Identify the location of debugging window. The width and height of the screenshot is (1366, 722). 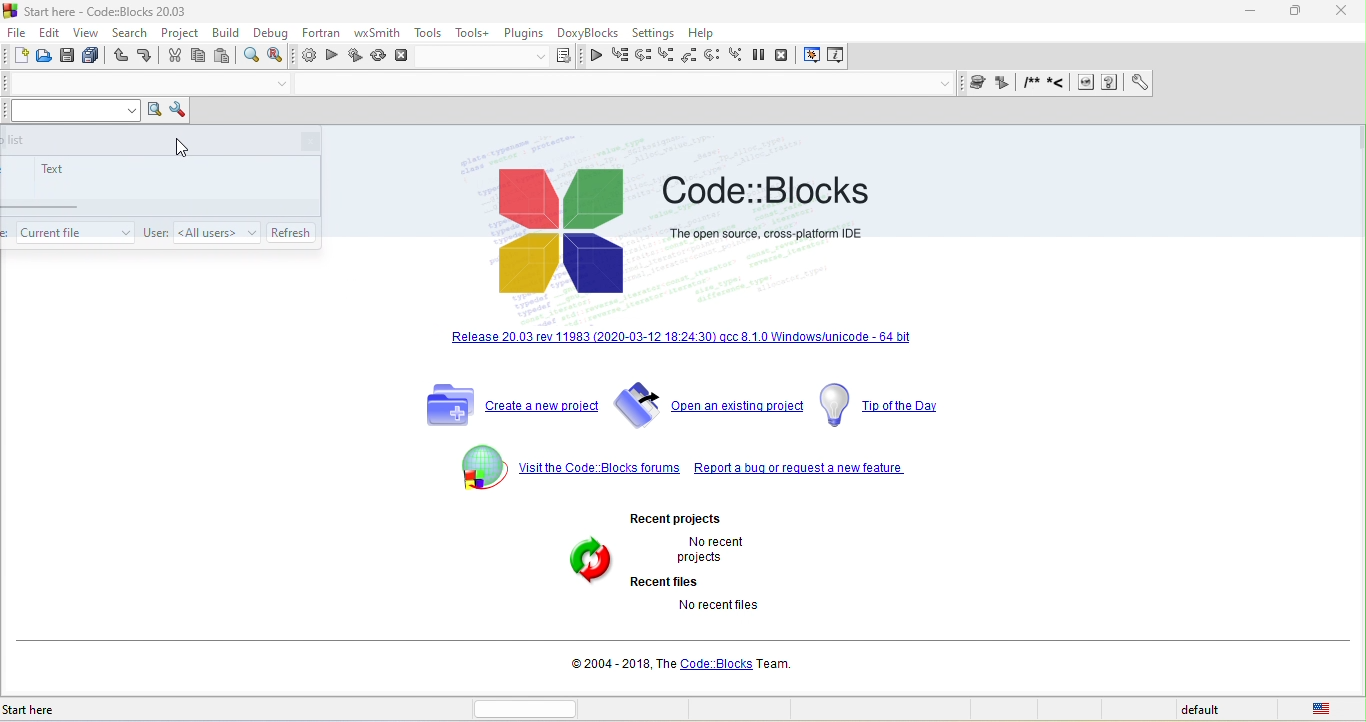
(813, 56).